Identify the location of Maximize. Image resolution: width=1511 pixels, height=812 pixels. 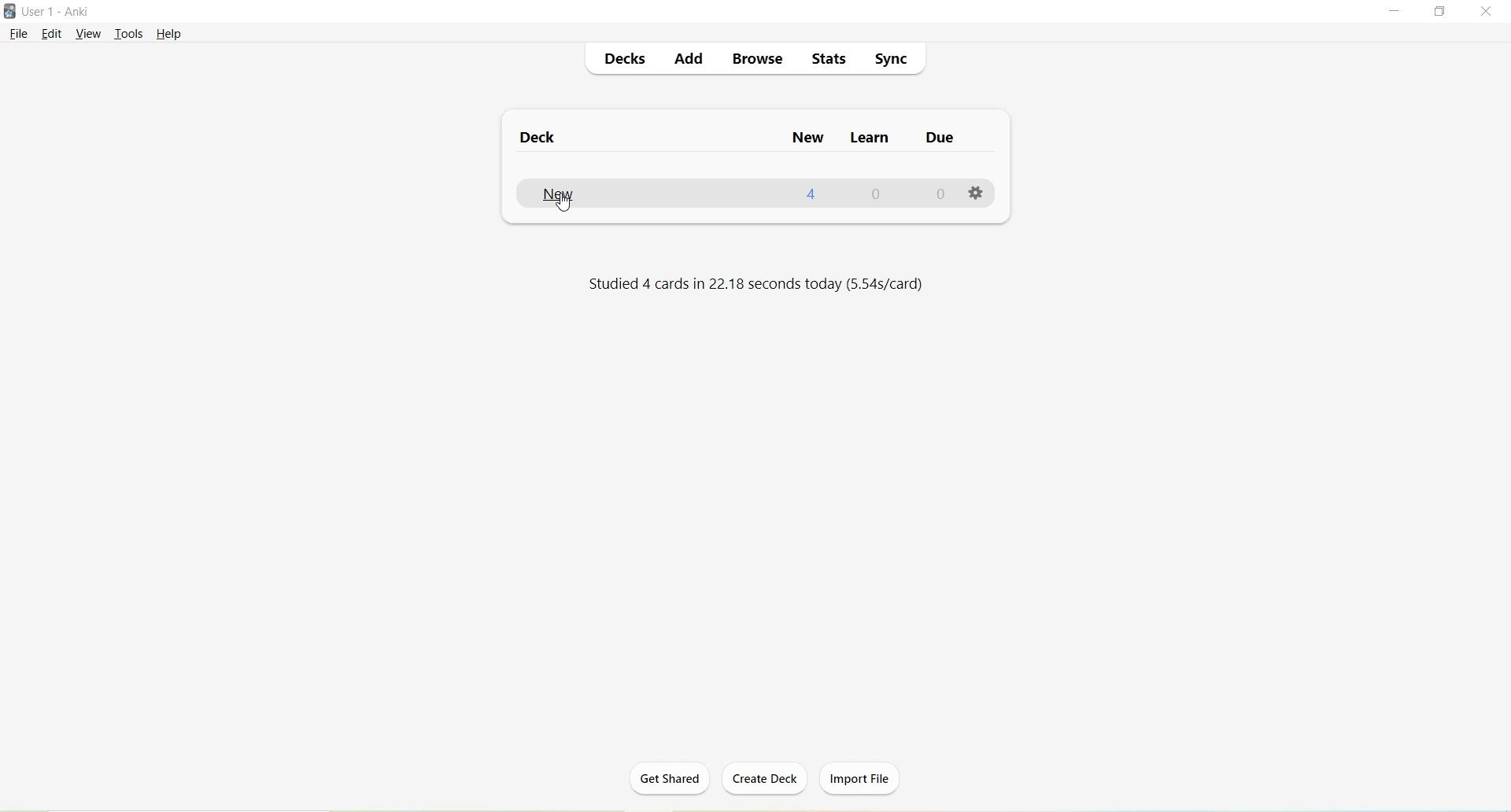
(1437, 13).